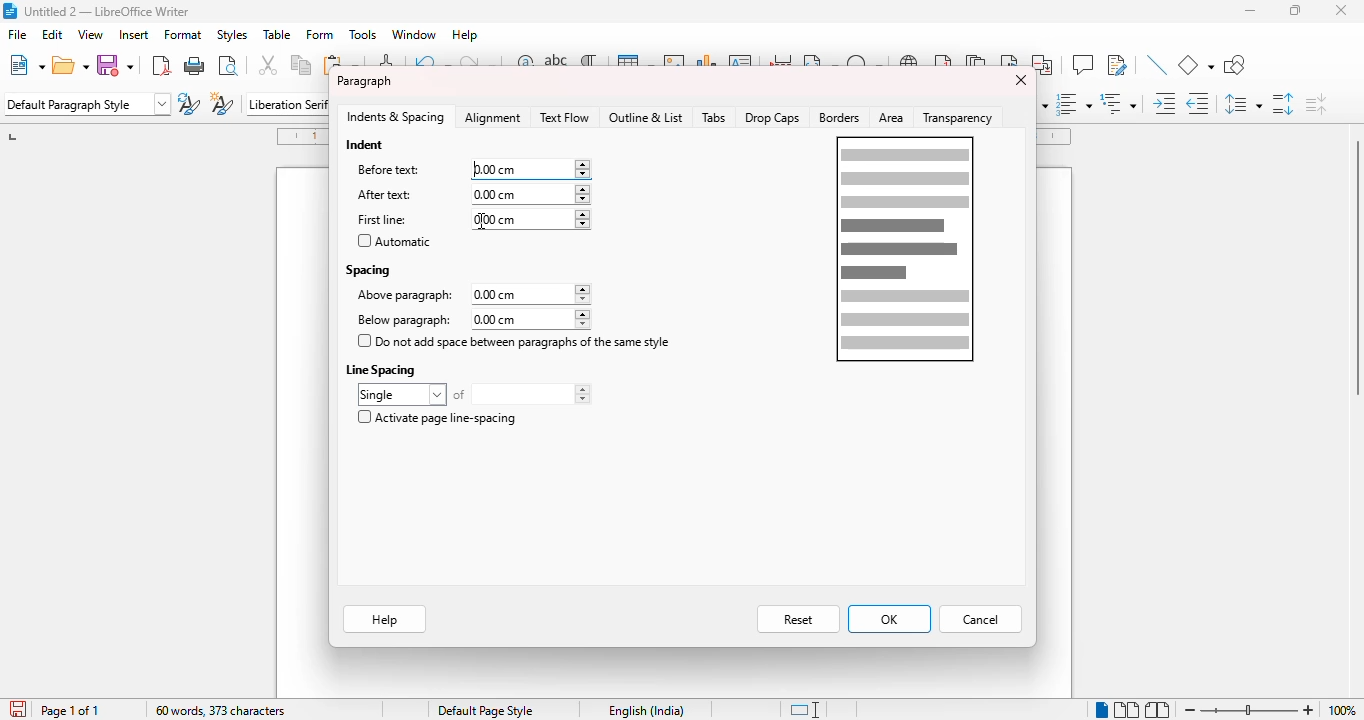 The height and width of the screenshot is (720, 1364). What do you see at coordinates (1127, 709) in the screenshot?
I see `multi-page view` at bounding box center [1127, 709].